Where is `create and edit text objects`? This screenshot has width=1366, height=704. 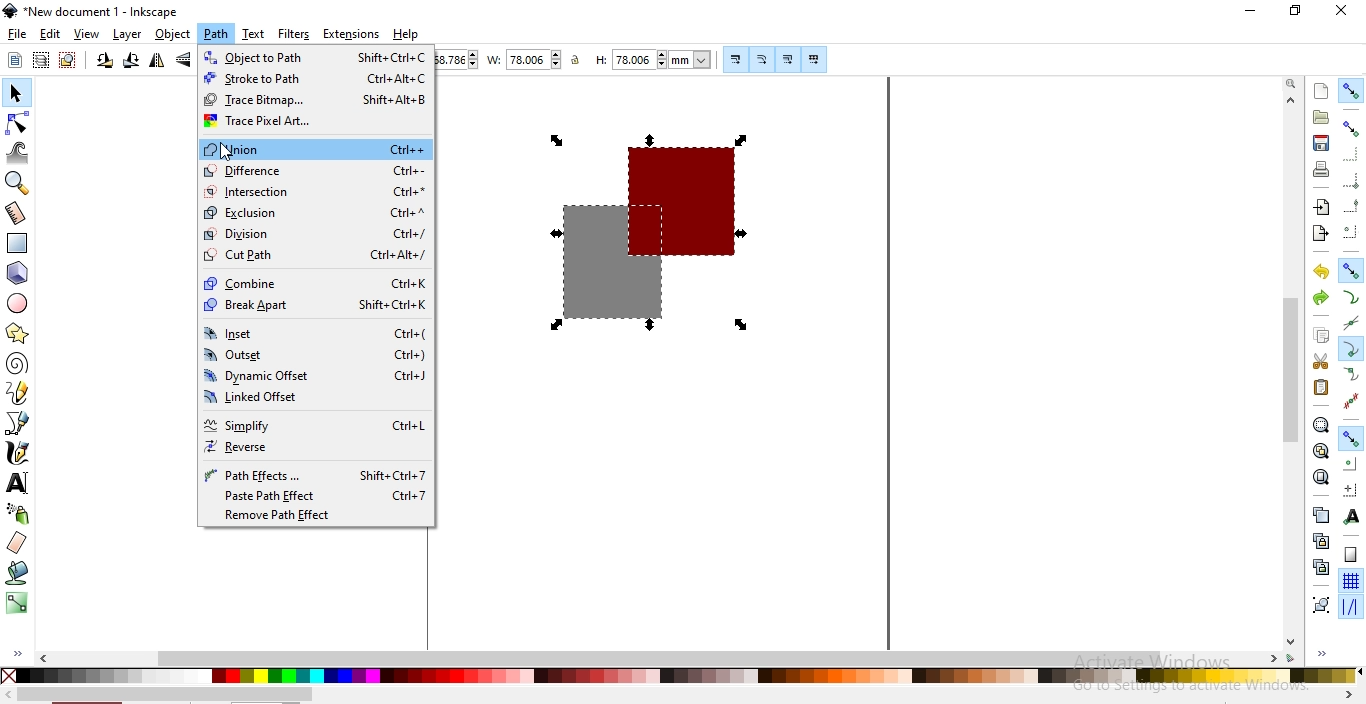
create and edit text objects is located at coordinates (17, 483).